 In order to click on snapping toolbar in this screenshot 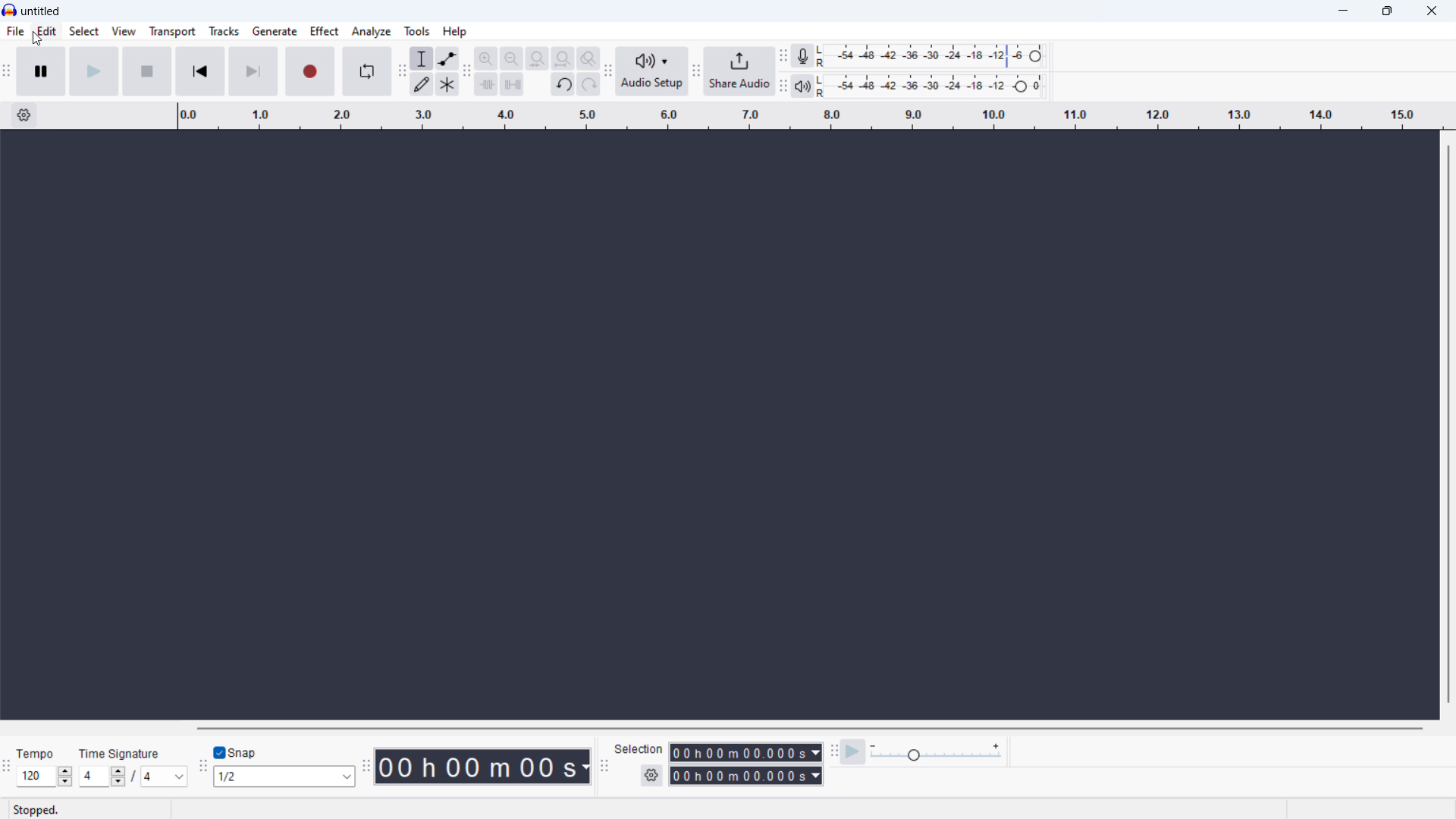, I will do `click(201, 768)`.